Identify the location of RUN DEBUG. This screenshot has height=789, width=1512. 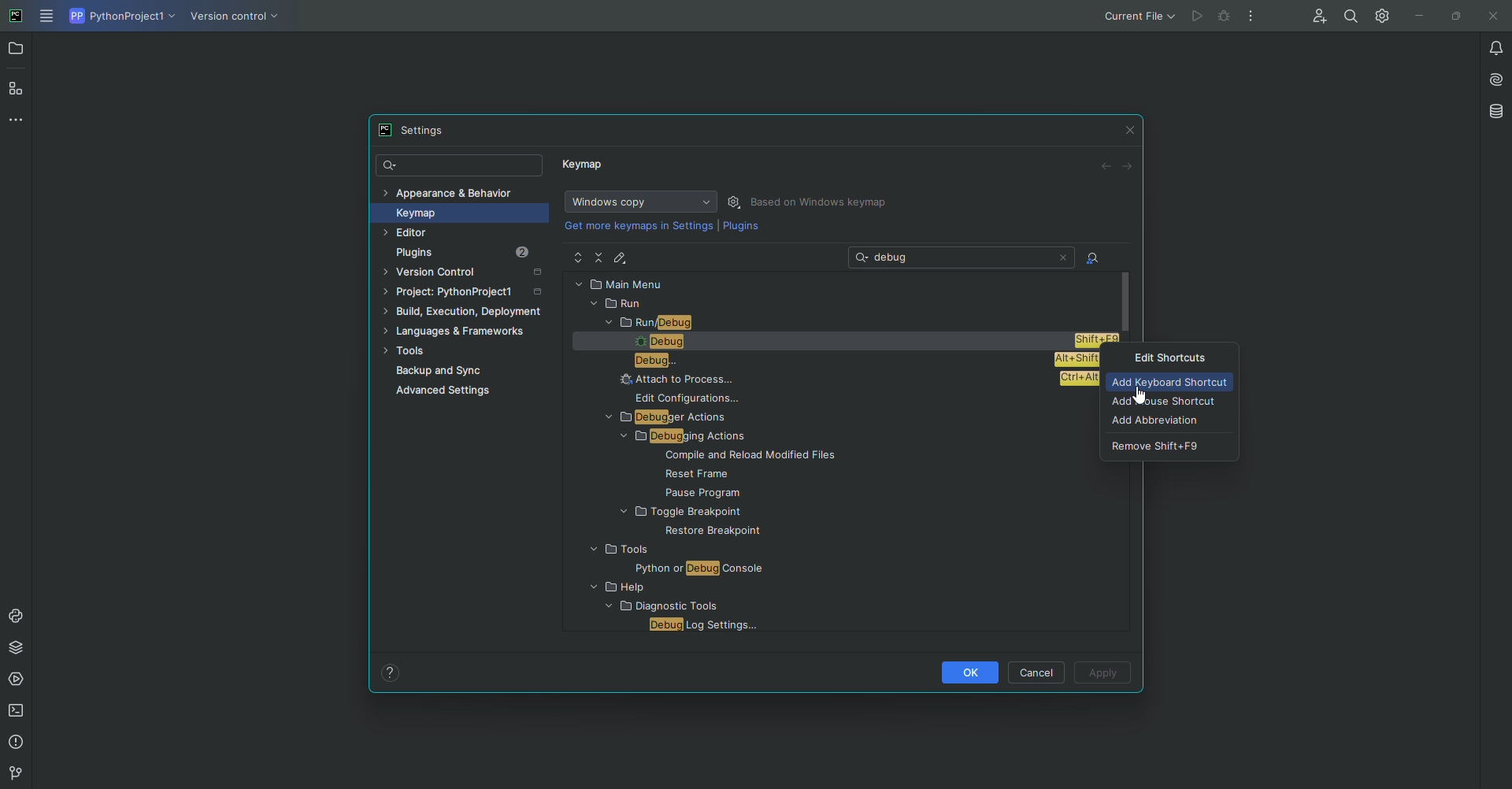
(854, 323).